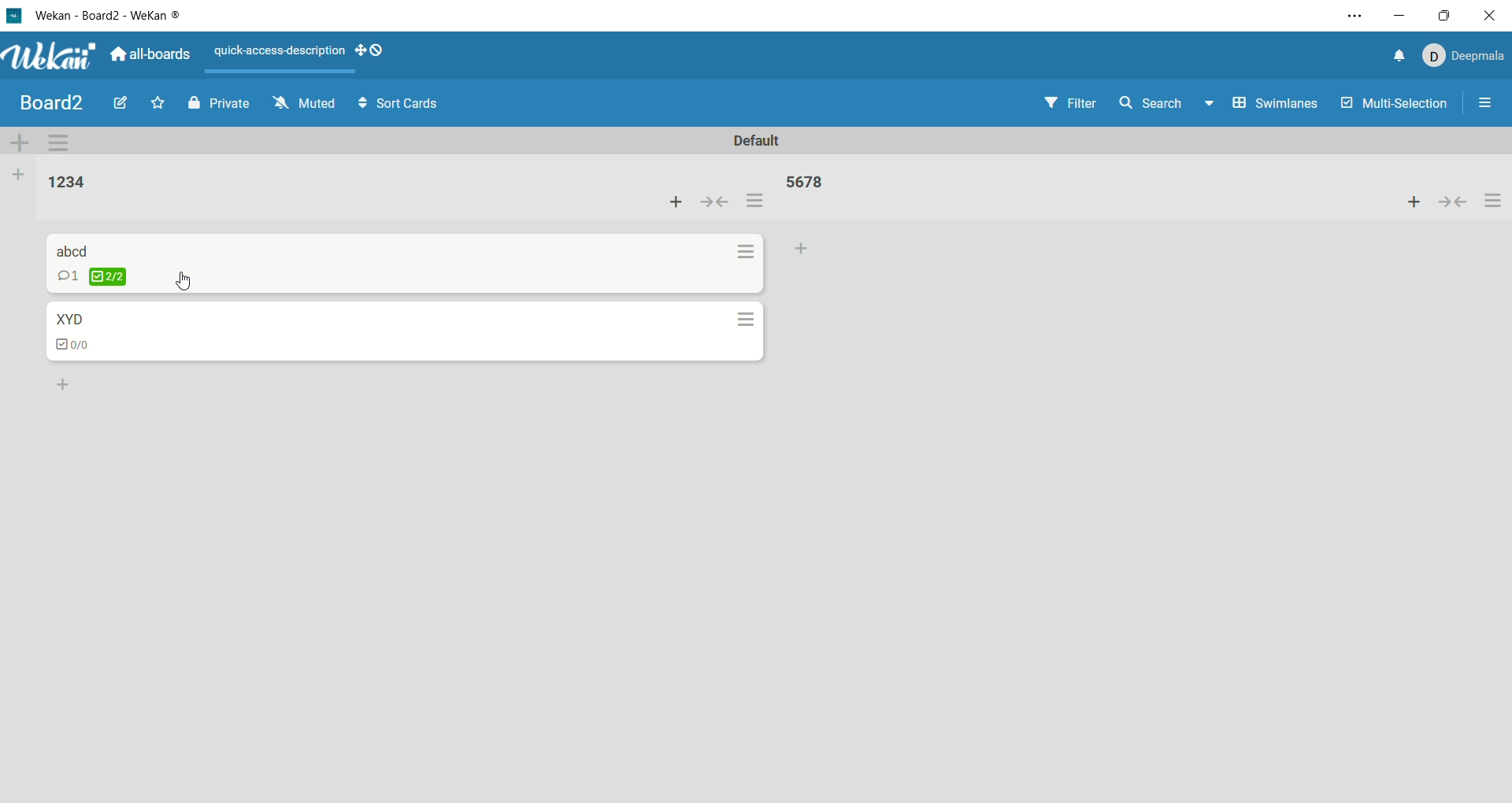 Image resolution: width=1512 pixels, height=803 pixels. What do you see at coordinates (1073, 104) in the screenshot?
I see `filter` at bounding box center [1073, 104].